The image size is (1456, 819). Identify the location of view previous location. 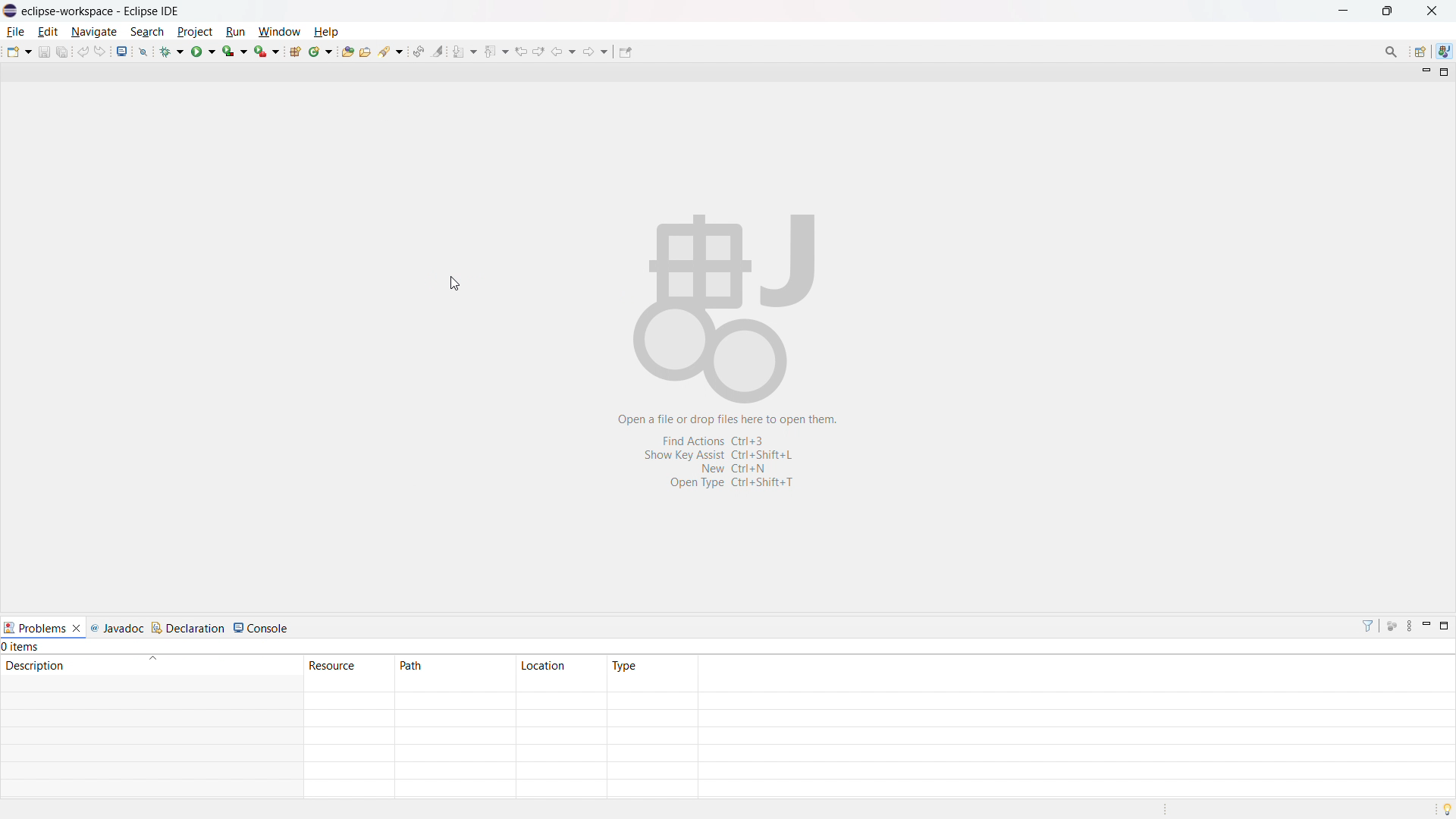
(520, 51).